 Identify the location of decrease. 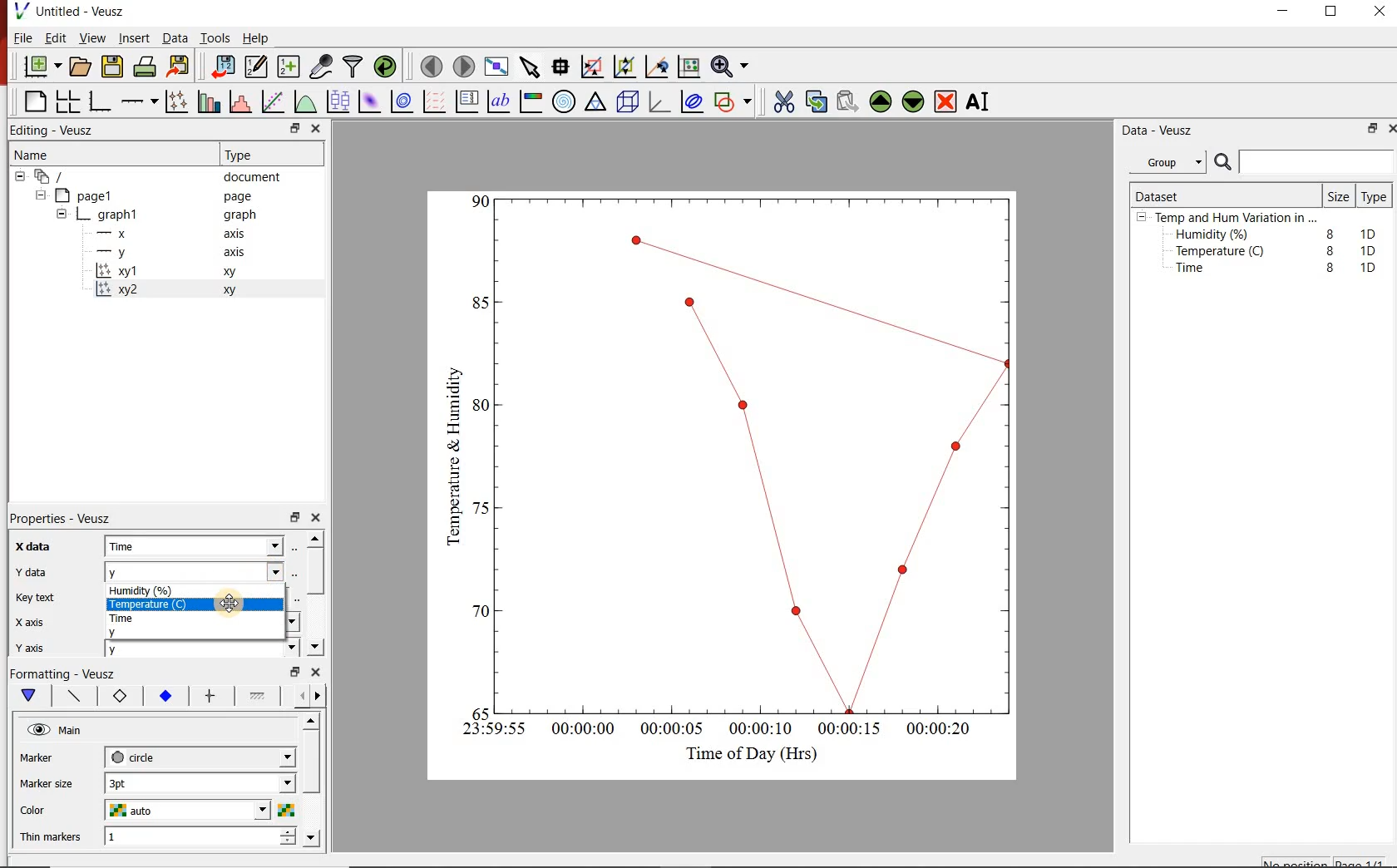
(287, 846).